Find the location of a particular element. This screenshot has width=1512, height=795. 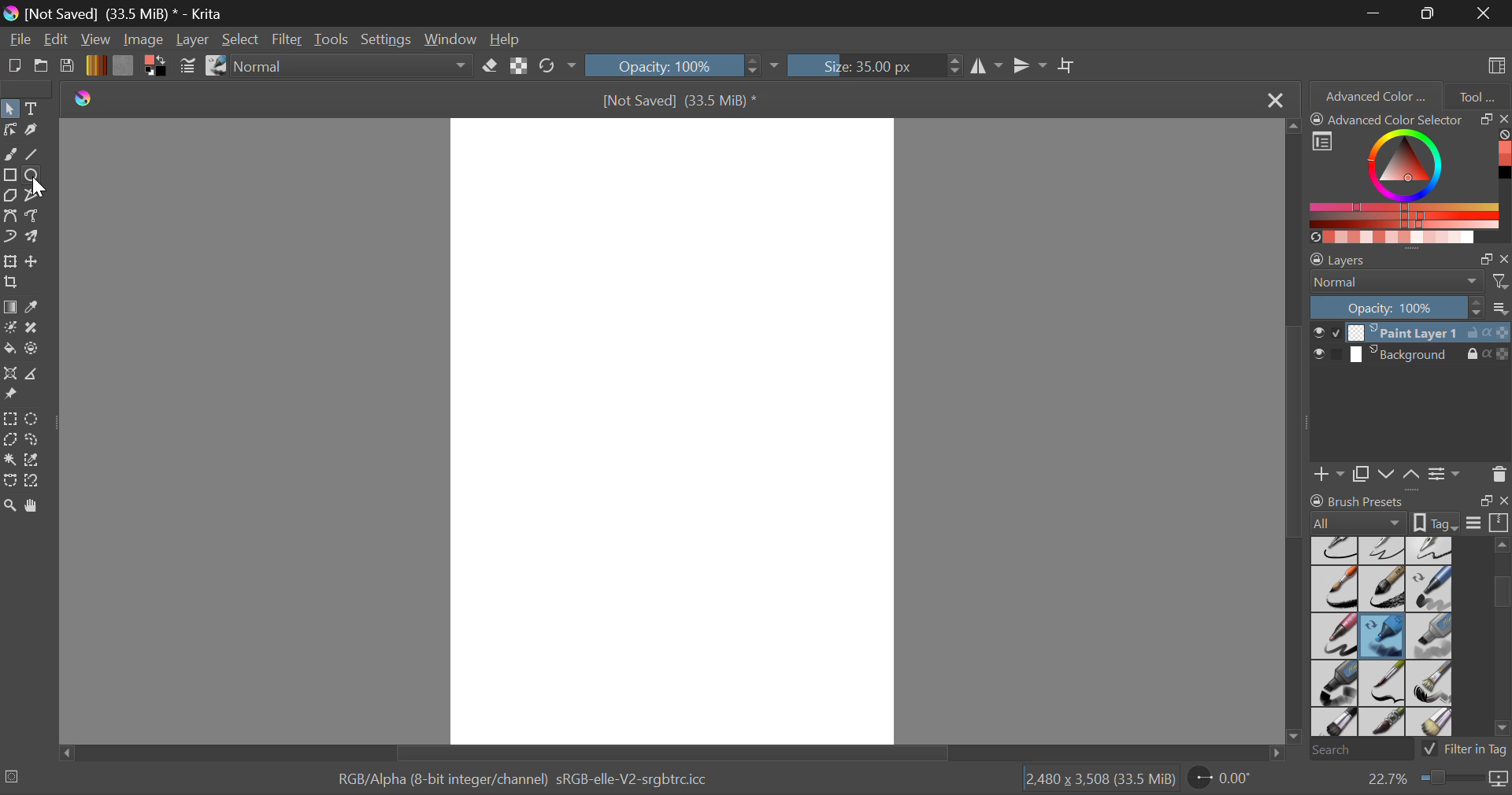

Page Dimensions is located at coordinates (1104, 779).